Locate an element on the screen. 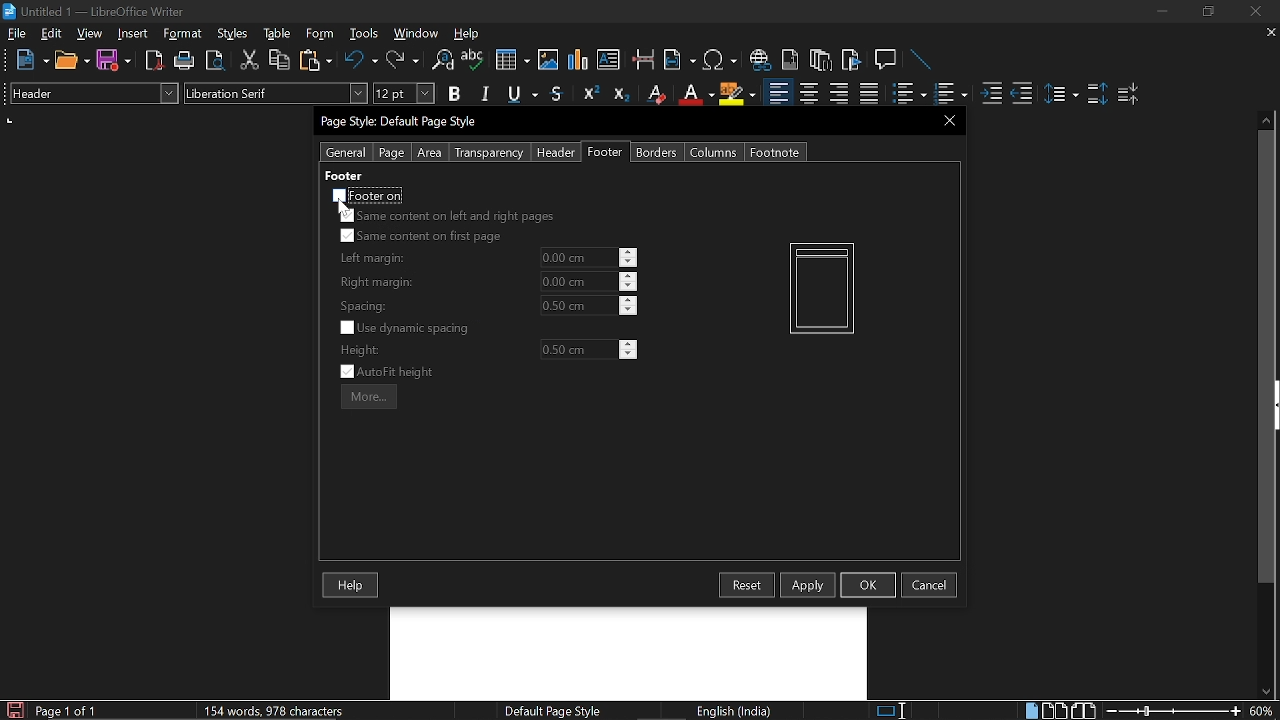  export as PDF is located at coordinates (155, 62).